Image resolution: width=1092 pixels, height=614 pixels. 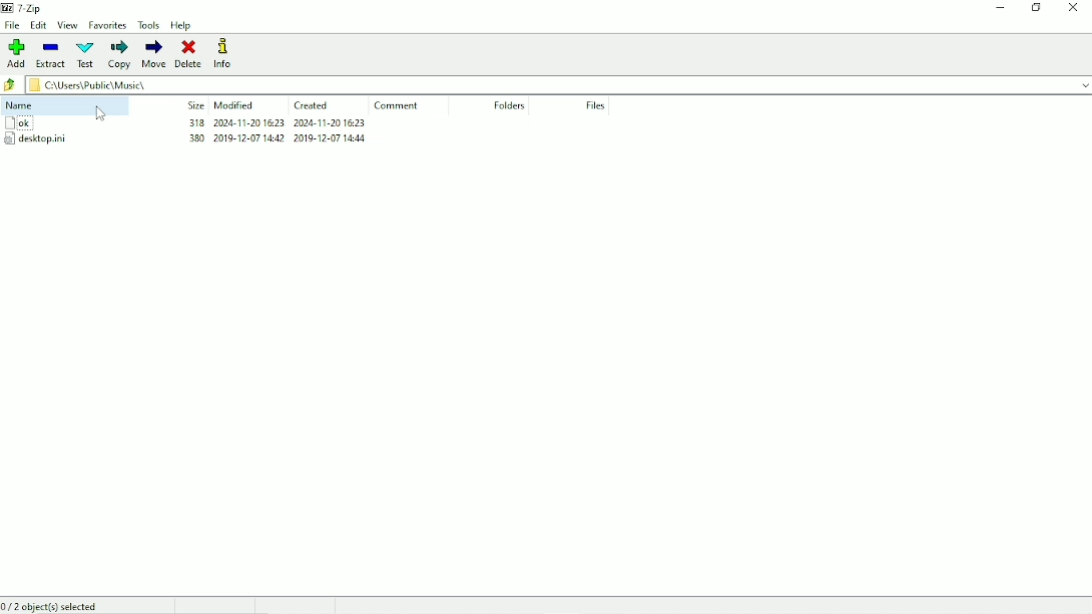 I want to click on Extract, so click(x=47, y=53).